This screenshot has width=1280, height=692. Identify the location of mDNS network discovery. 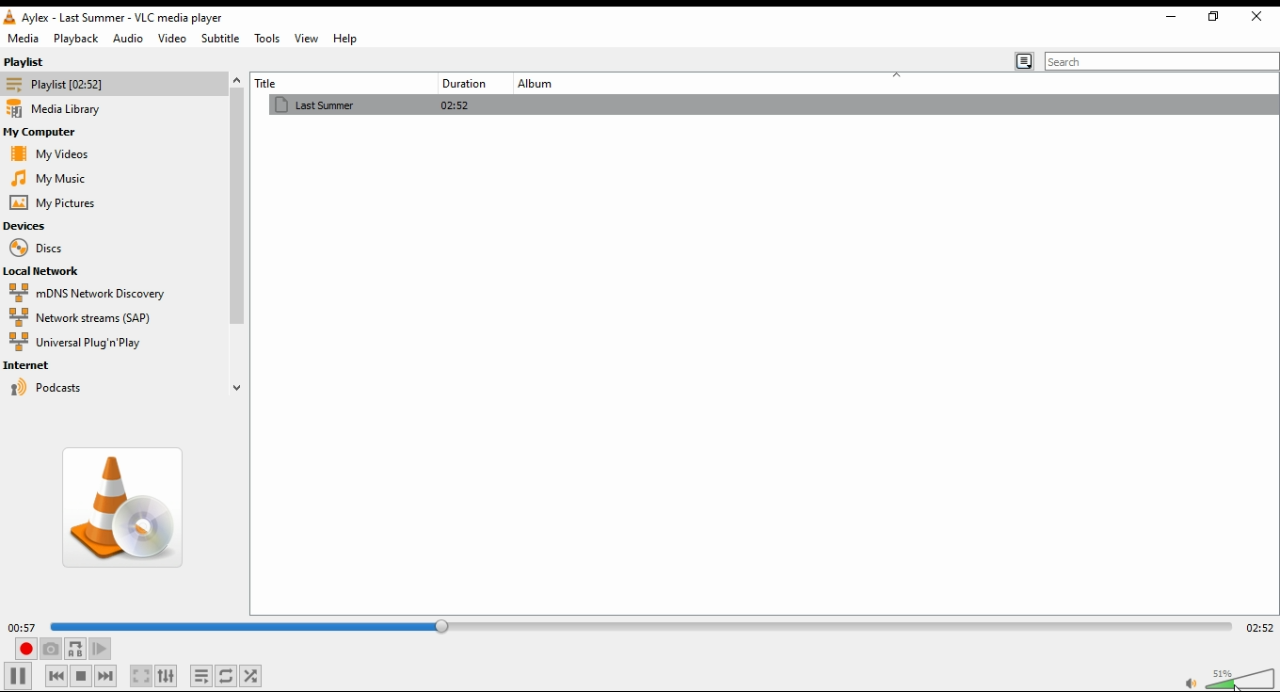
(93, 294).